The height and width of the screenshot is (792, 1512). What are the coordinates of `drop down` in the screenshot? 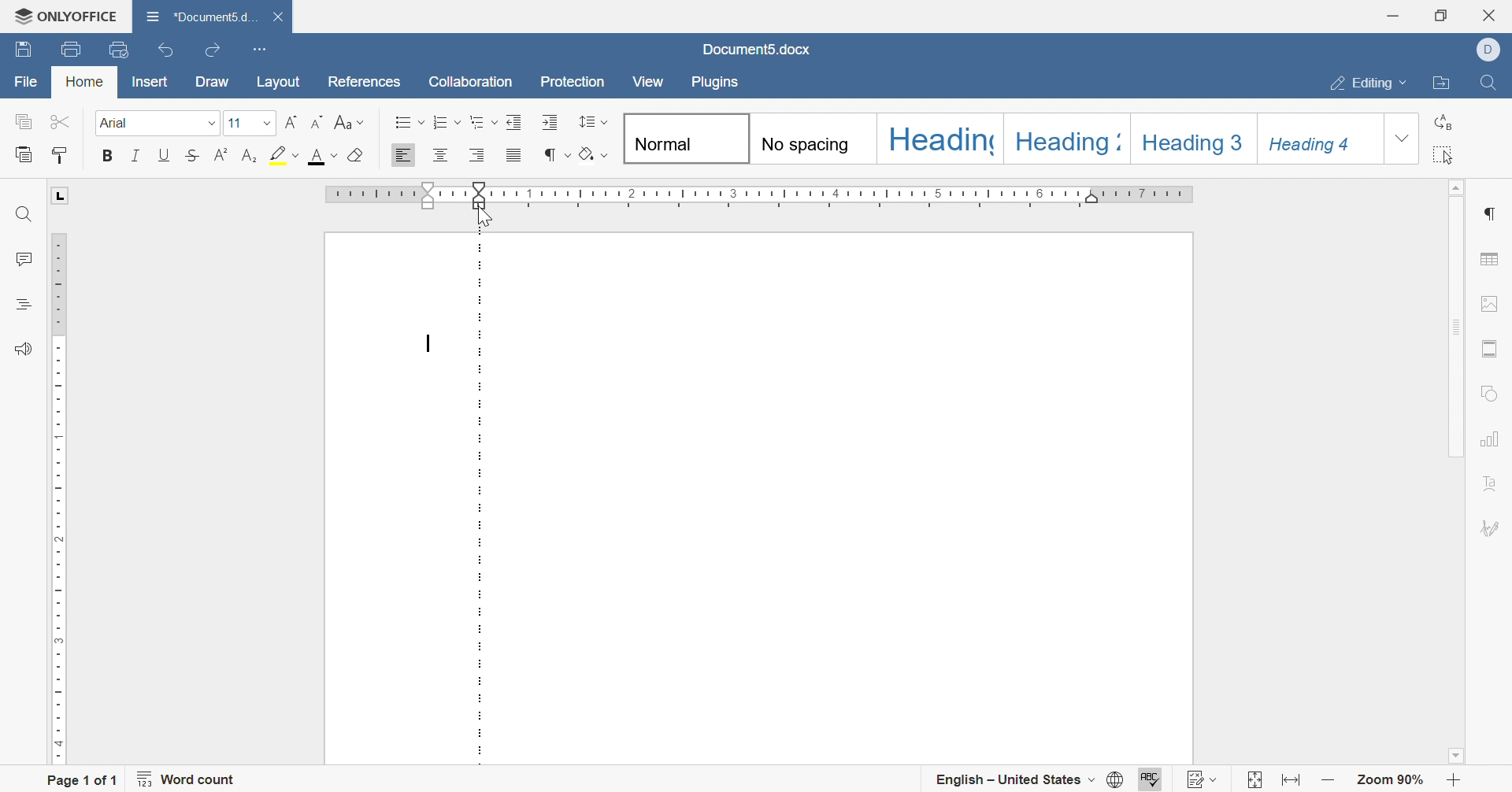 It's located at (268, 124).